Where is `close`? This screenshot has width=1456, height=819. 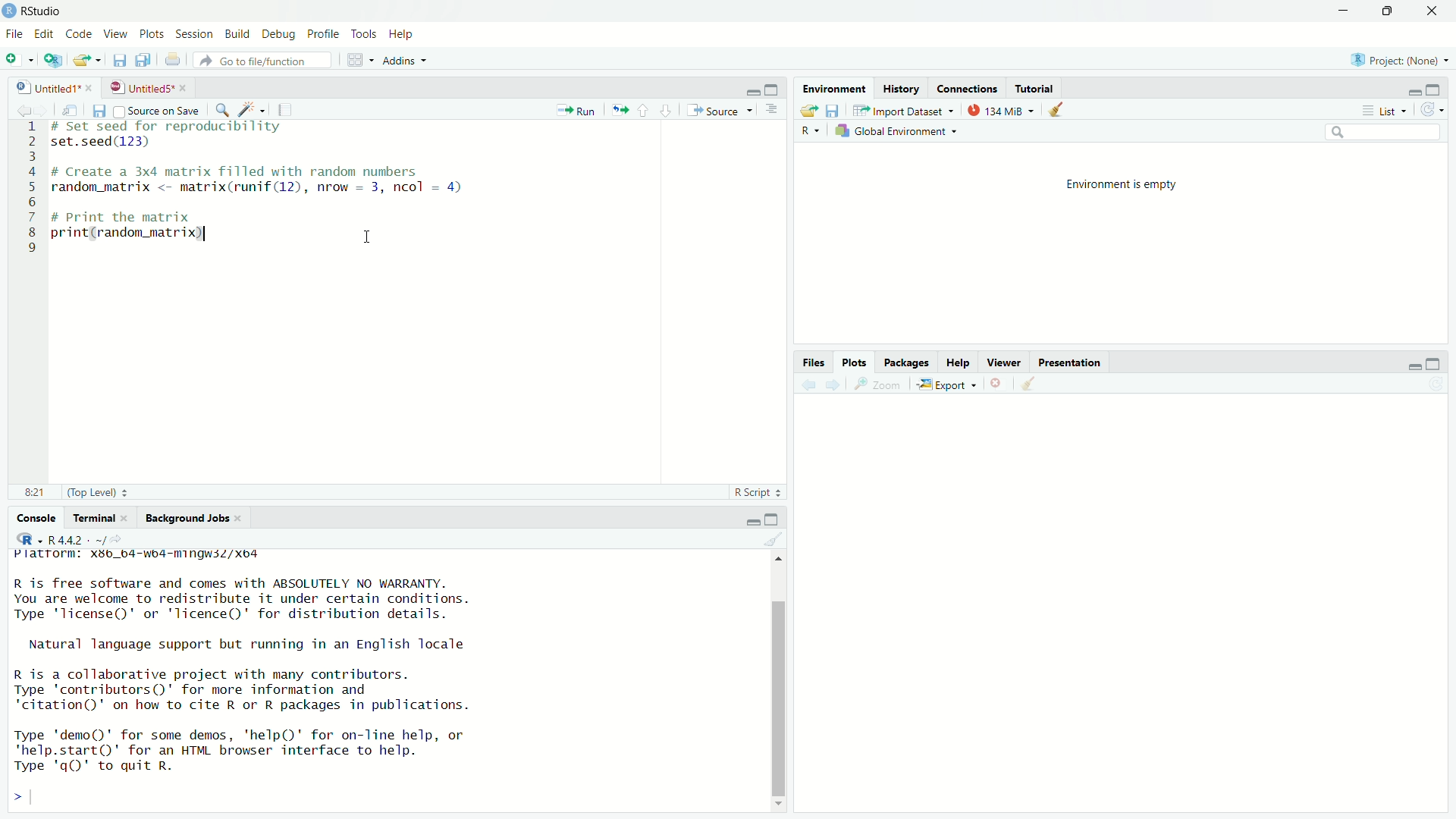
close is located at coordinates (997, 383).